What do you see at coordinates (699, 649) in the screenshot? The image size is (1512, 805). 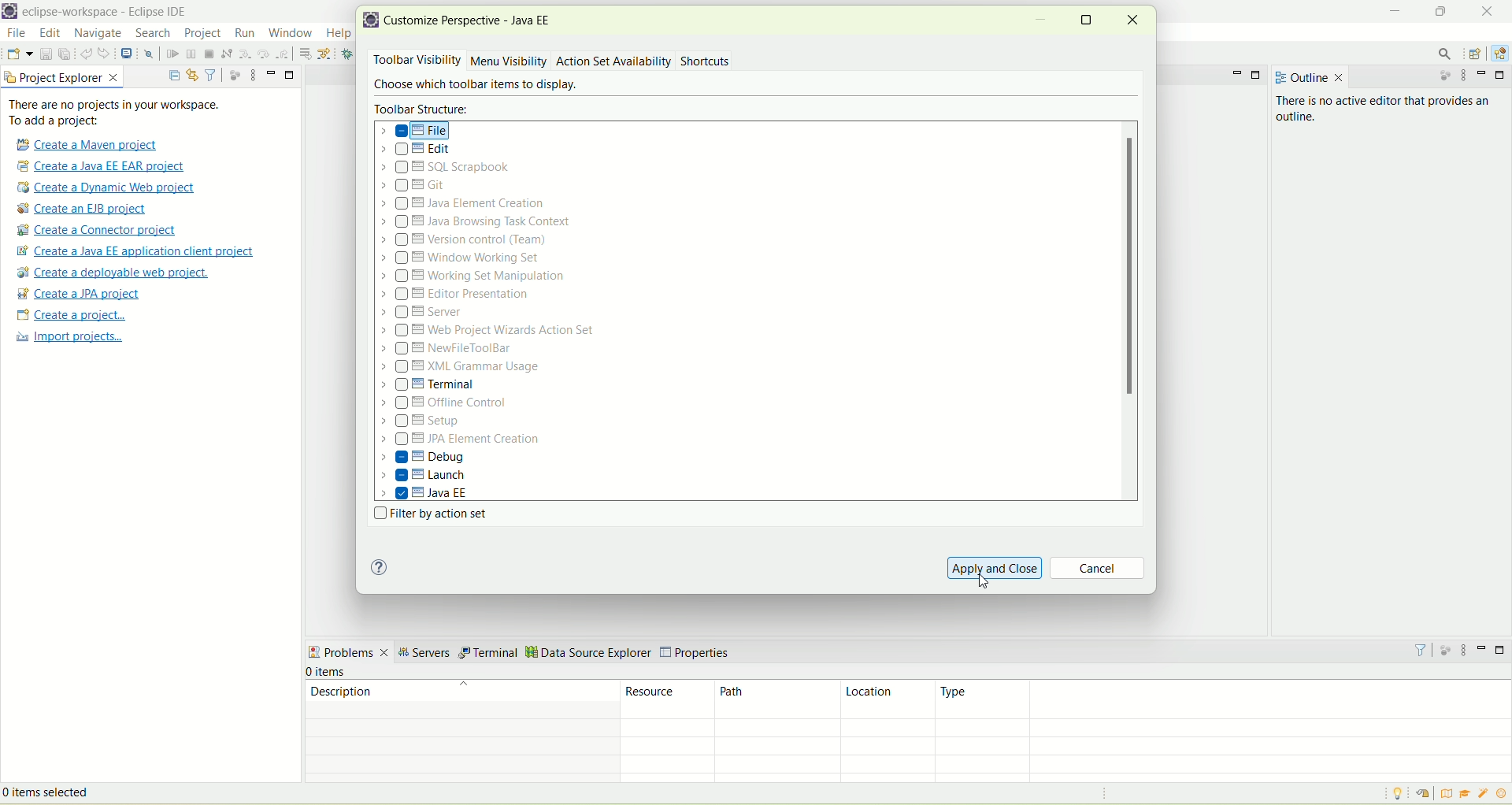 I see `properties` at bounding box center [699, 649].